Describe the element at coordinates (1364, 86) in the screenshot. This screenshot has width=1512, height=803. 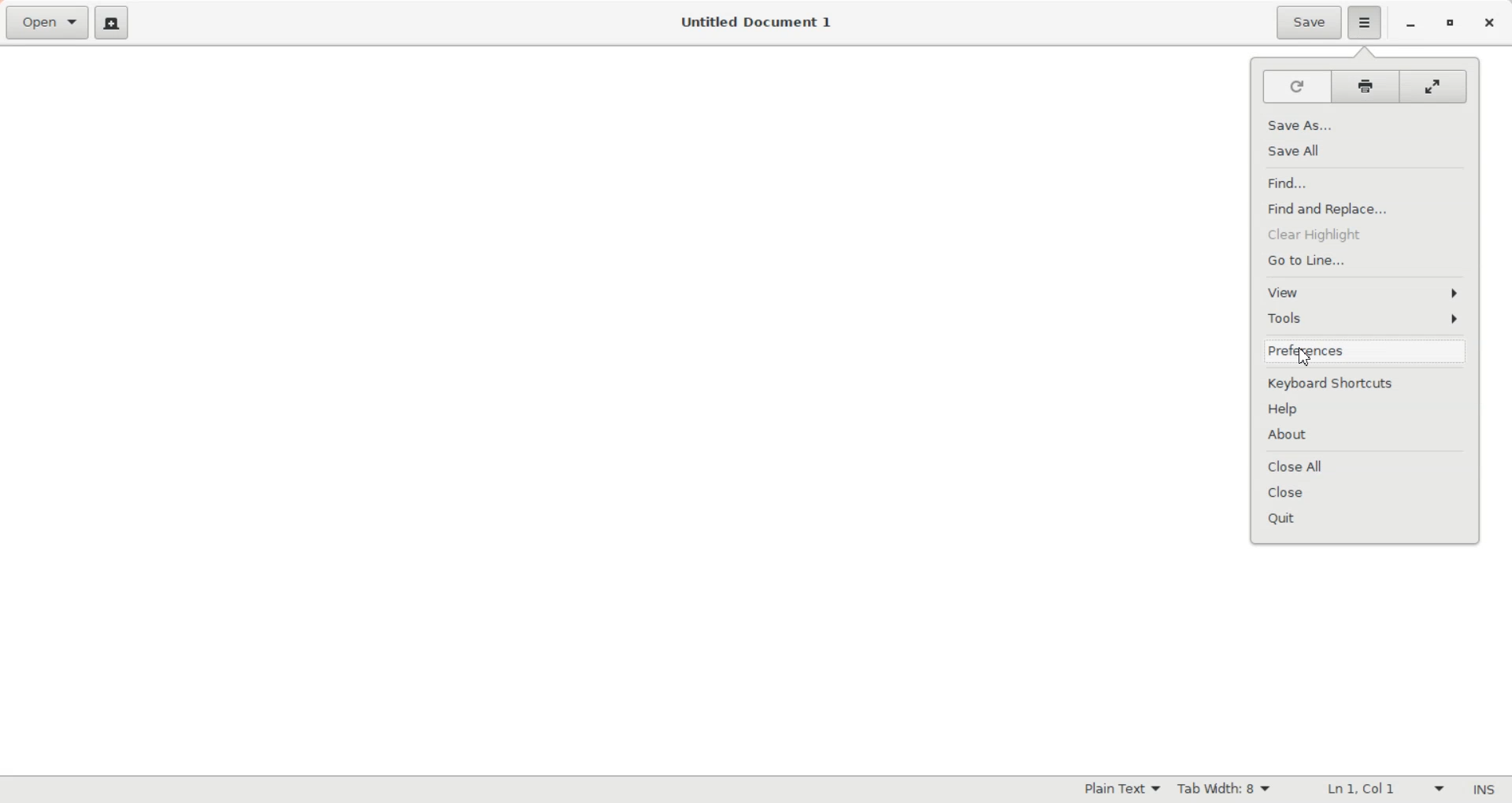
I see `Print` at that location.